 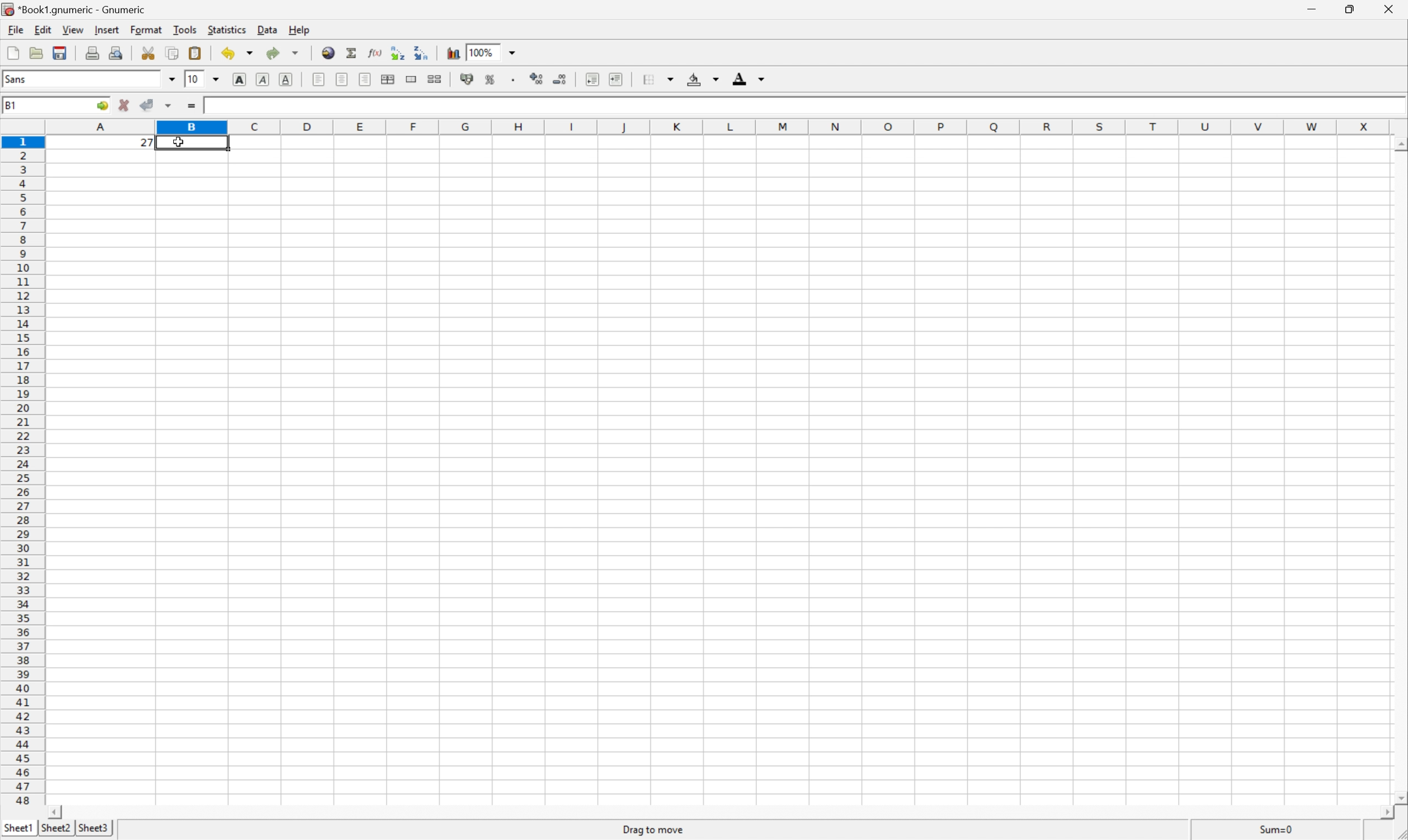 I want to click on Help, so click(x=300, y=30).